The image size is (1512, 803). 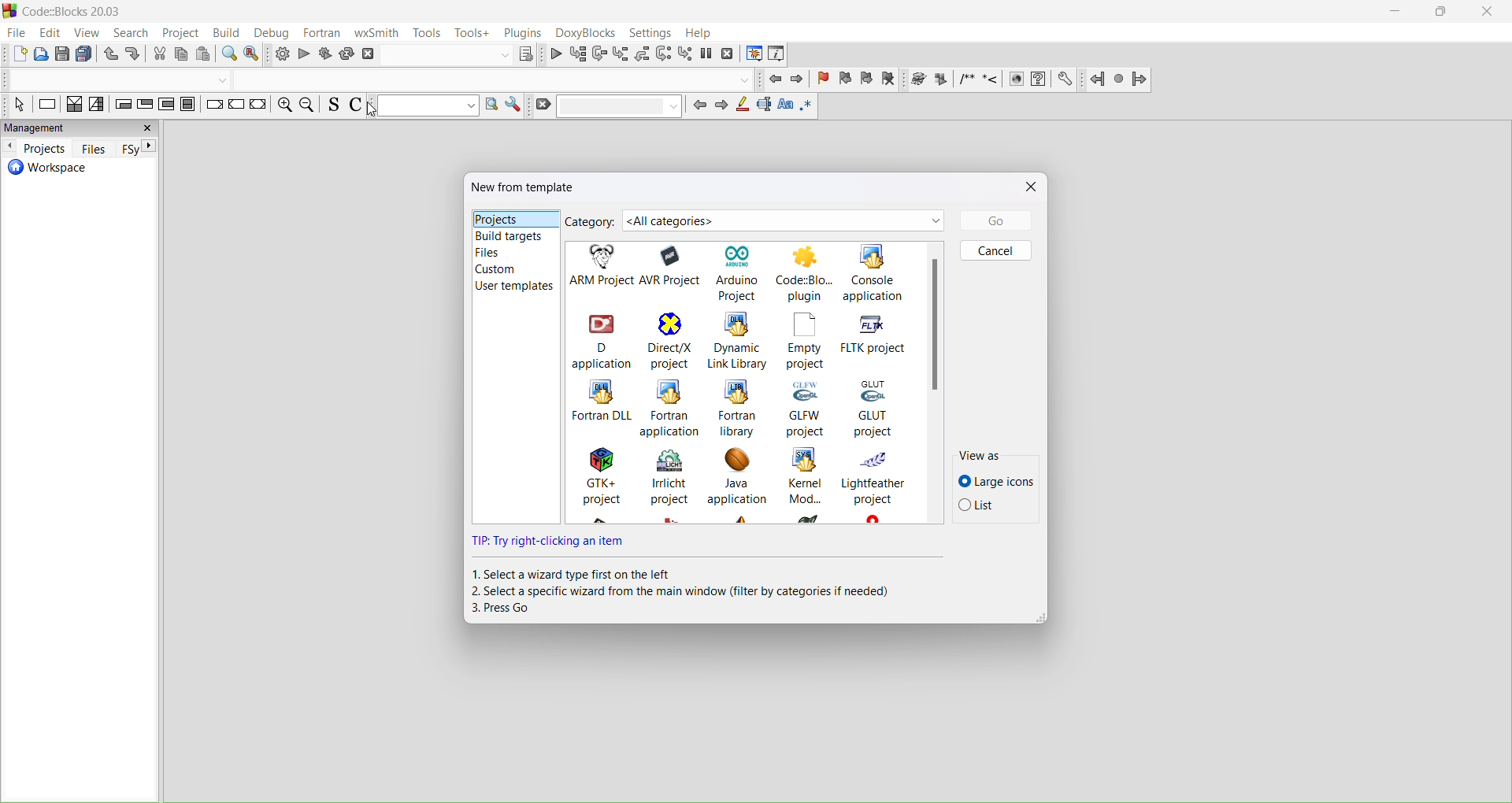 I want to click on user templates, so click(x=513, y=287).